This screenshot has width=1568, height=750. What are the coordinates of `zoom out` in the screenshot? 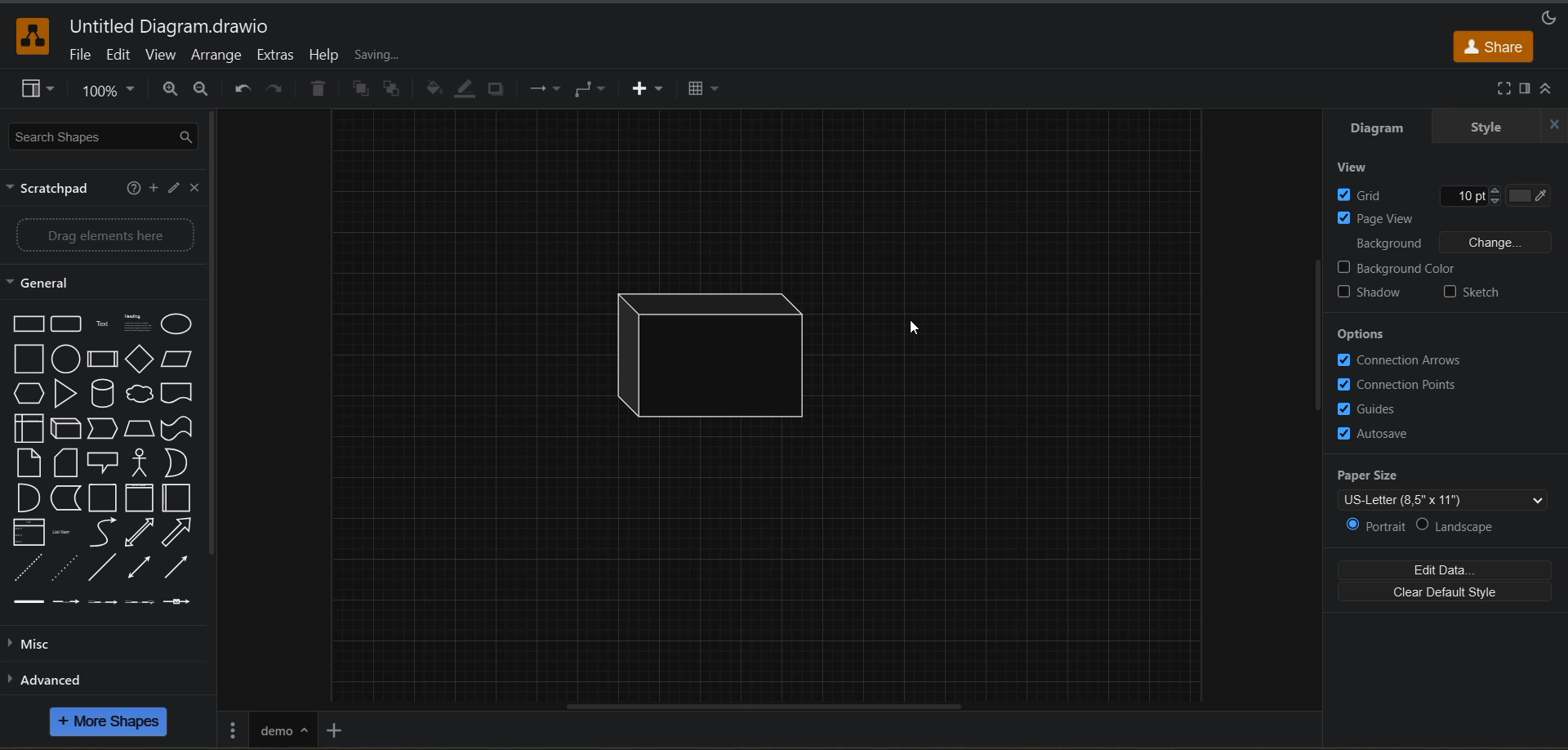 It's located at (203, 92).